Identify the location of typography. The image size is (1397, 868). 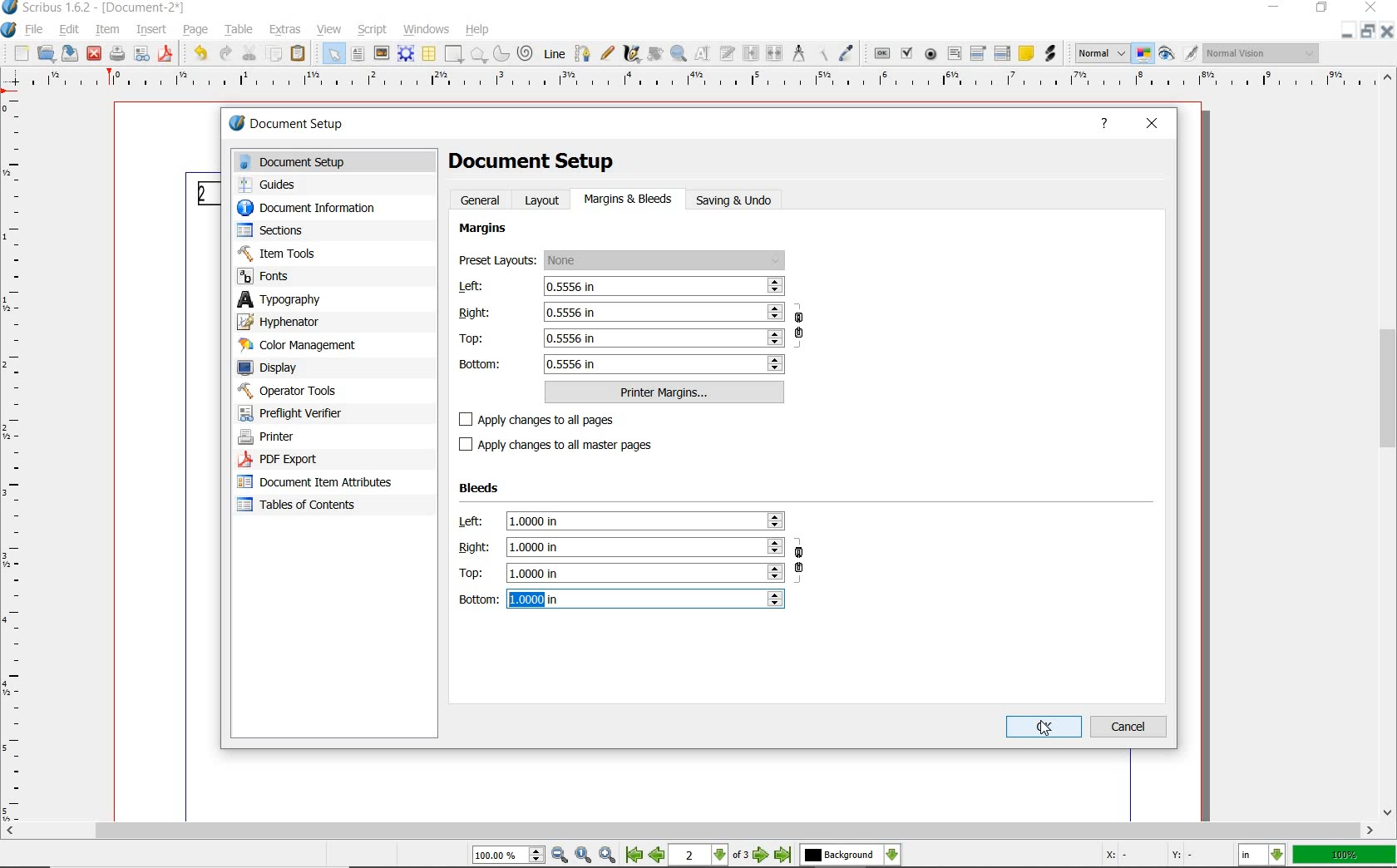
(334, 301).